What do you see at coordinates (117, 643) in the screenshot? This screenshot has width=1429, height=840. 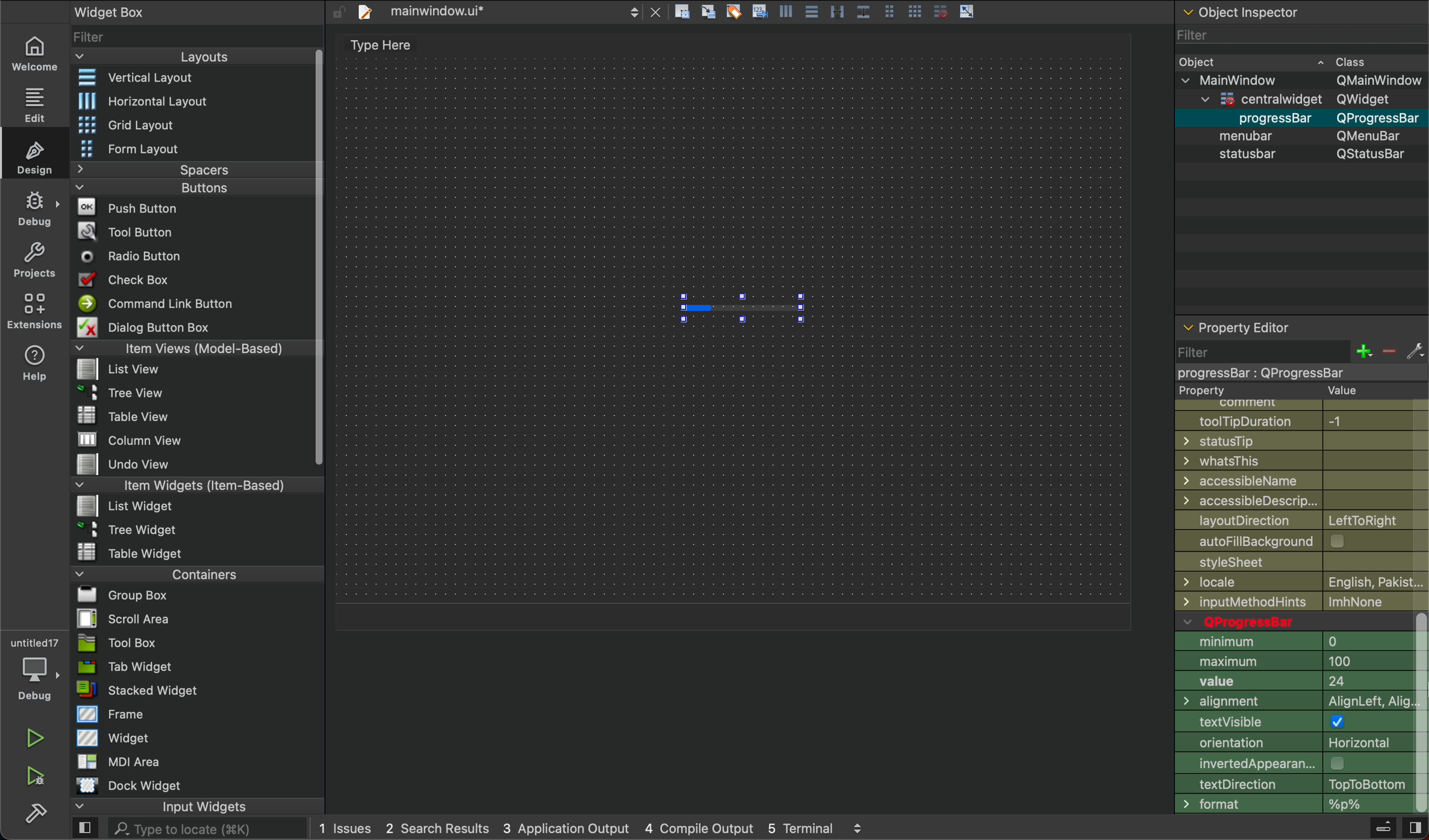 I see `Tool Box` at bounding box center [117, 643].